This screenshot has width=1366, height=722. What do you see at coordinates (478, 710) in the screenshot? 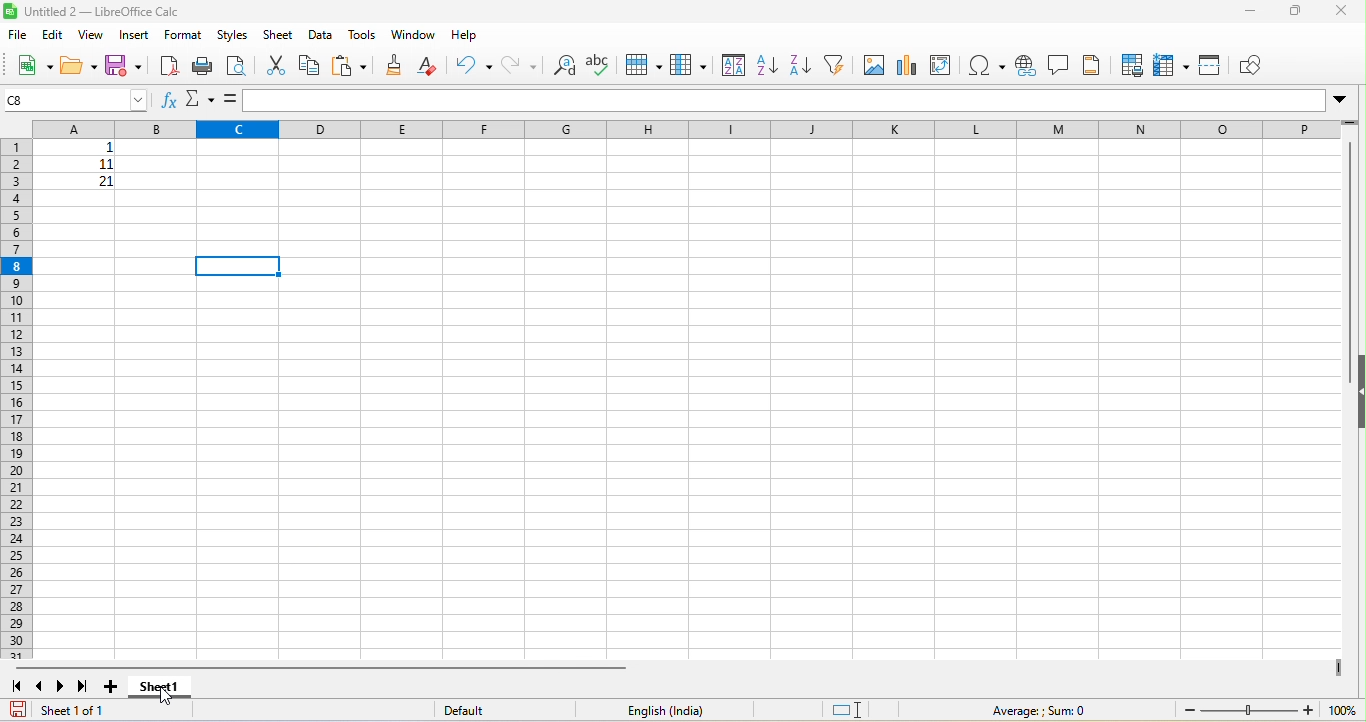
I see `default` at bounding box center [478, 710].